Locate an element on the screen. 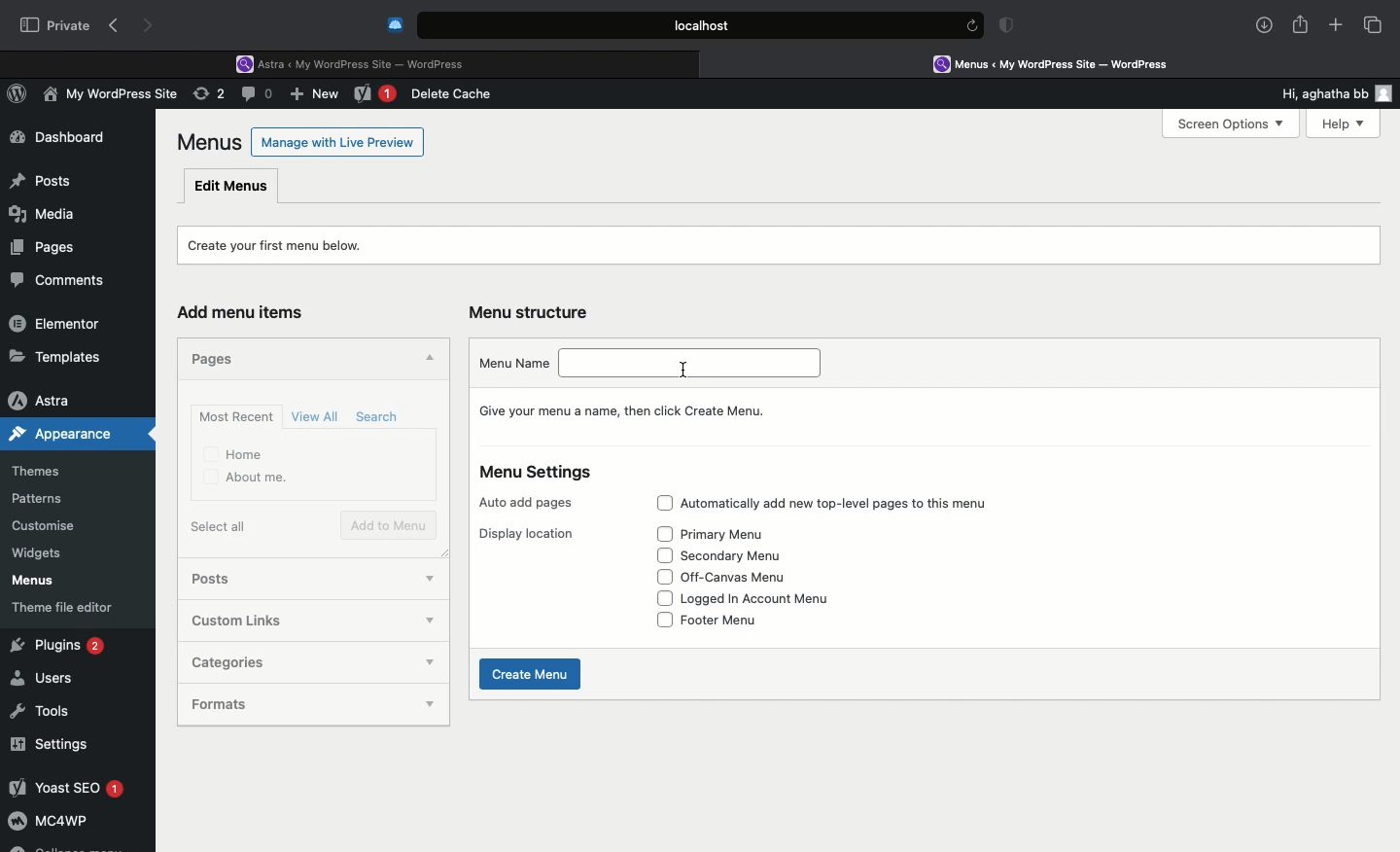  WordPress Logo is located at coordinates (20, 96).